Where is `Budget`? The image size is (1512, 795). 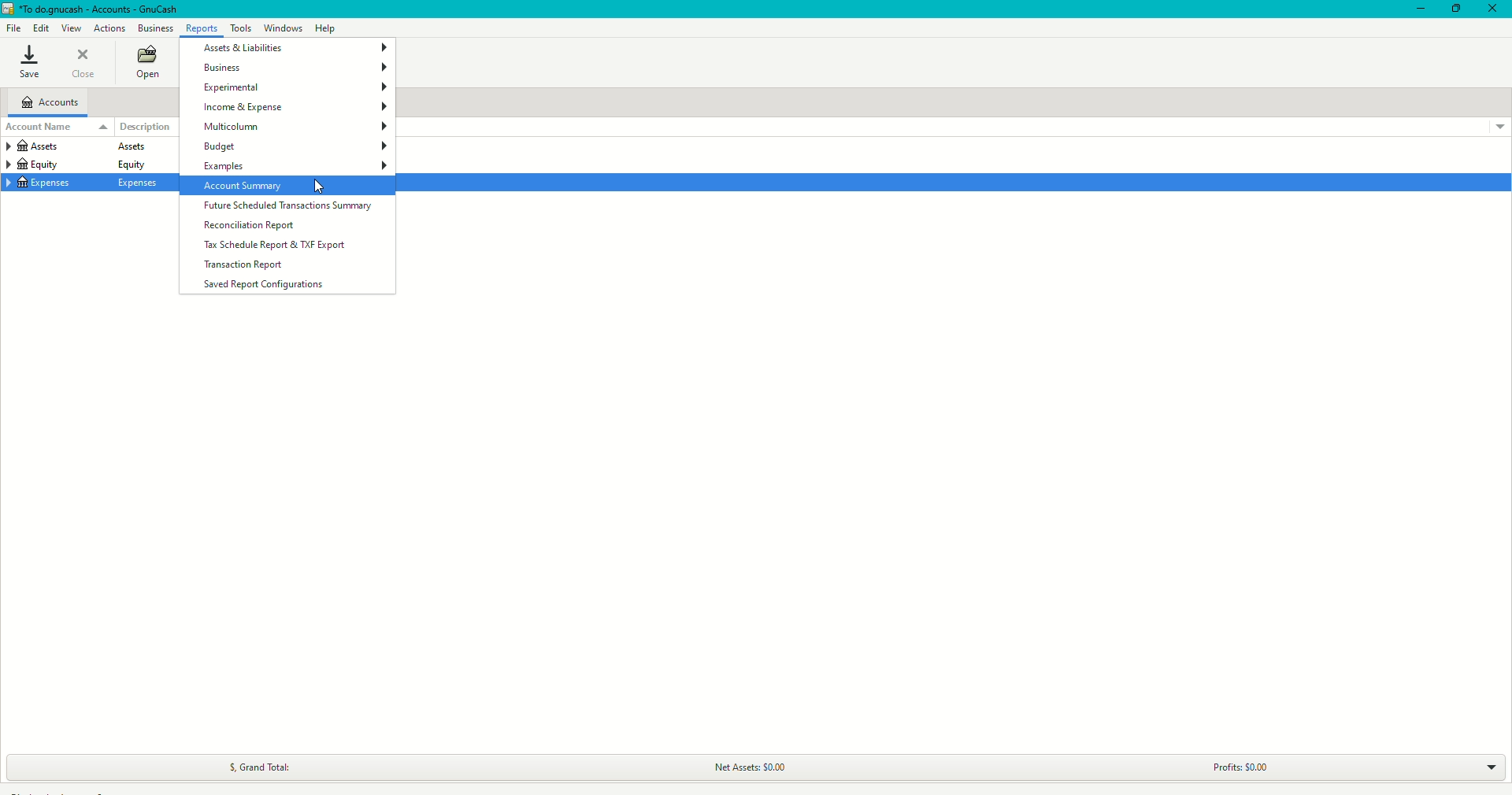 Budget is located at coordinates (295, 147).